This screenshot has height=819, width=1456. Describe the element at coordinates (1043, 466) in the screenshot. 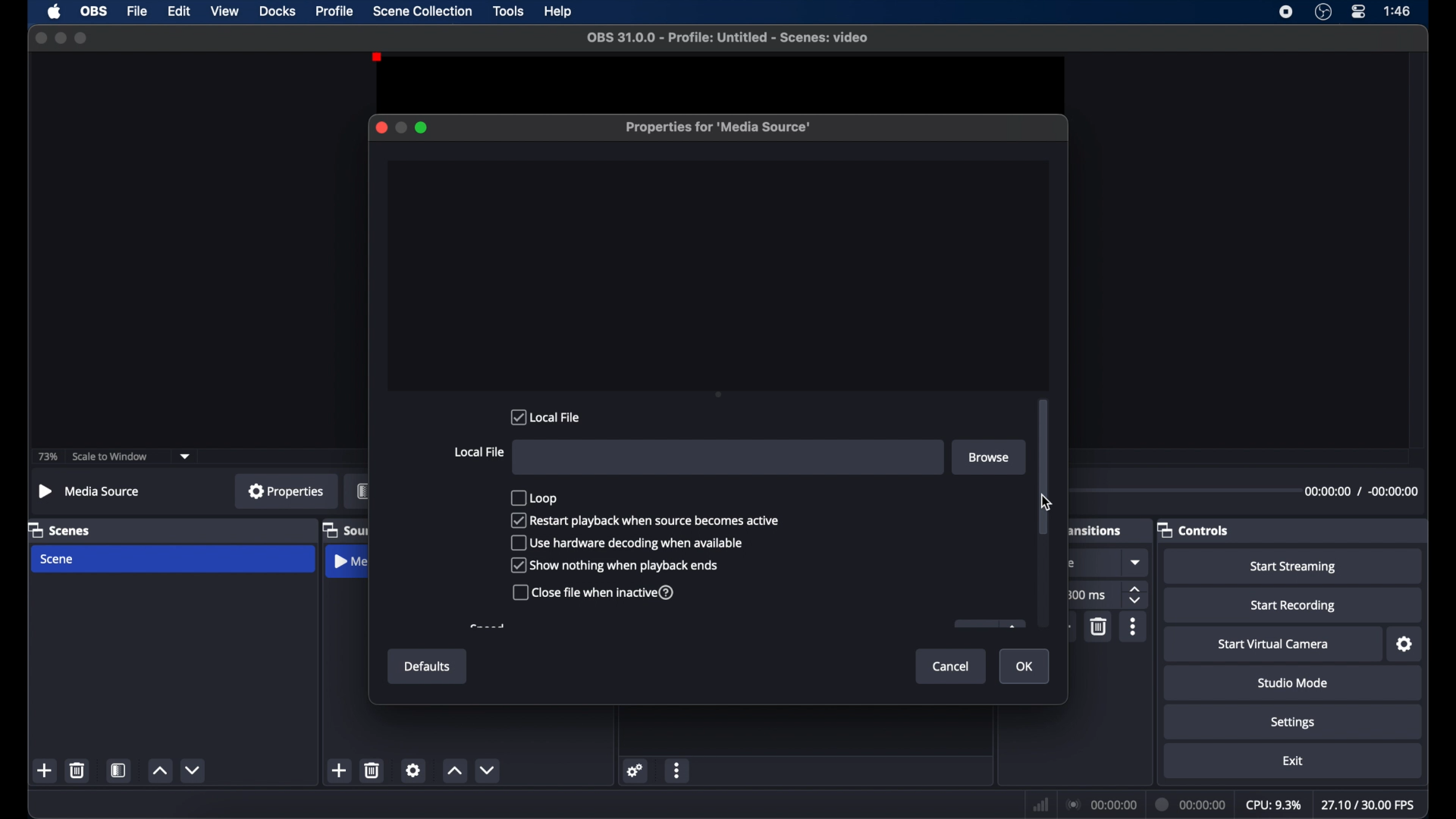

I see `scroll box` at that location.